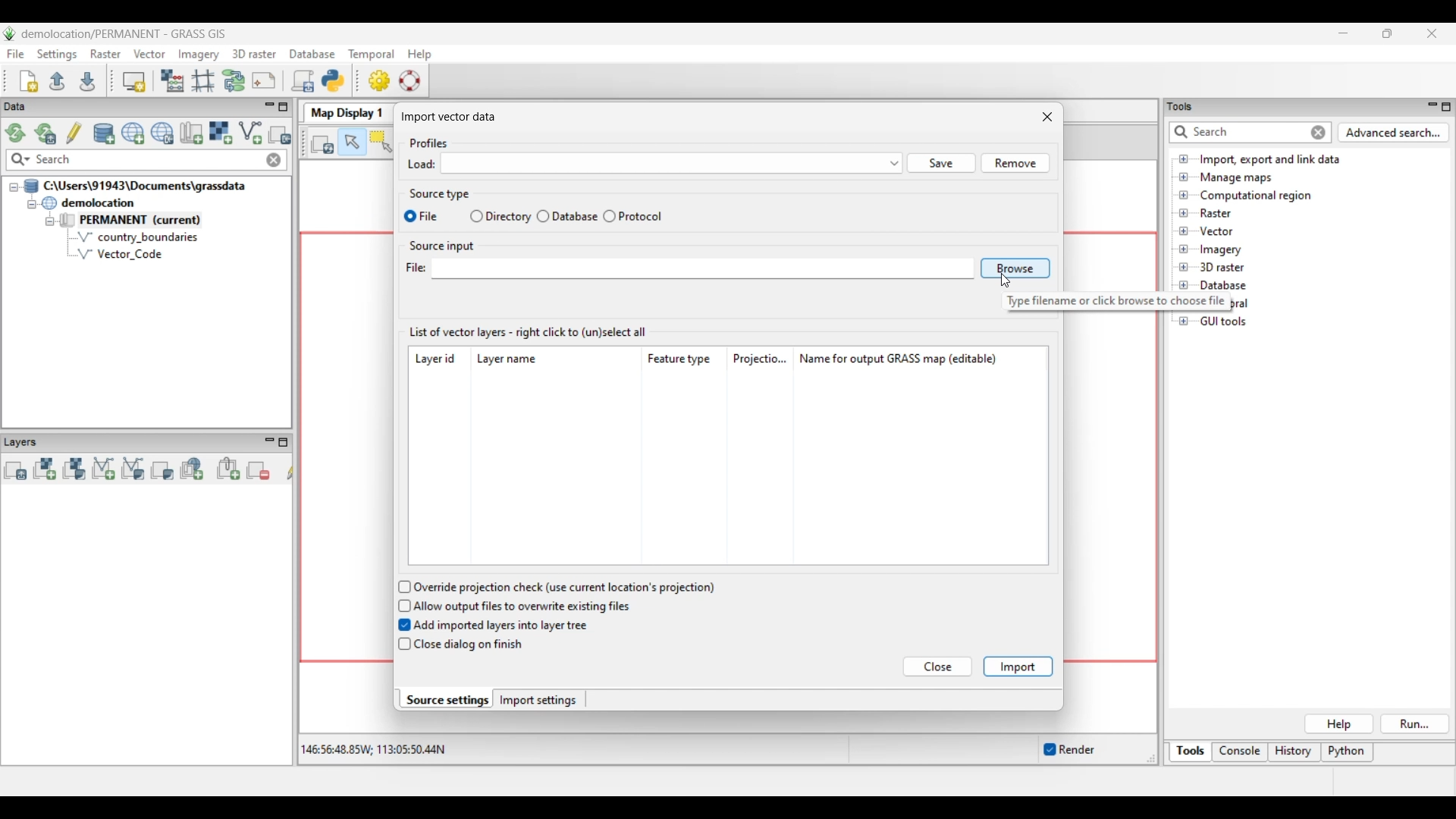 The height and width of the screenshot is (819, 1456). Describe the element at coordinates (1015, 163) in the screenshot. I see `Remove input made` at that location.